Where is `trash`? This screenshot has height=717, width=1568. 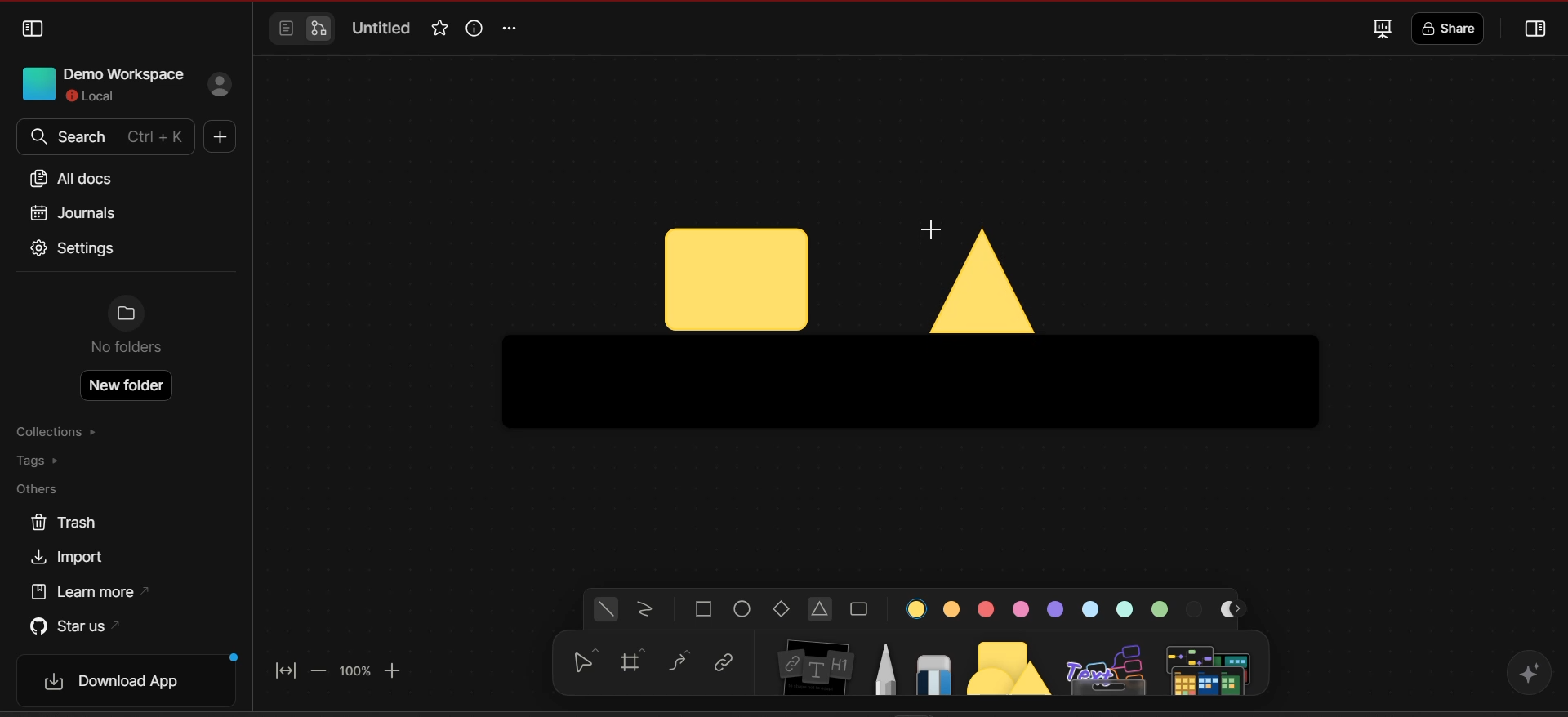
trash is located at coordinates (63, 523).